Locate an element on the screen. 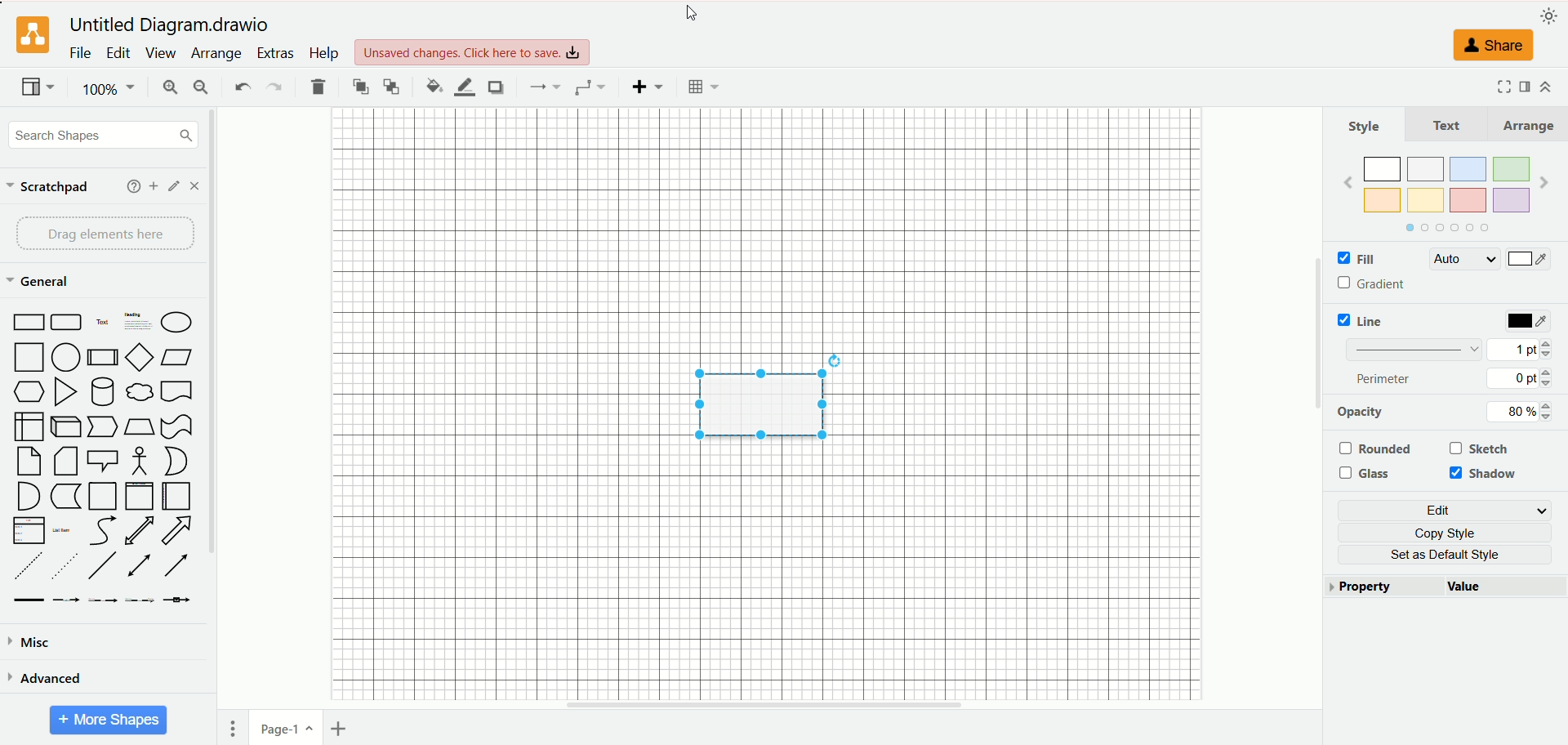 The width and height of the screenshot is (1568, 745). color options navigate is located at coordinates (1444, 228).